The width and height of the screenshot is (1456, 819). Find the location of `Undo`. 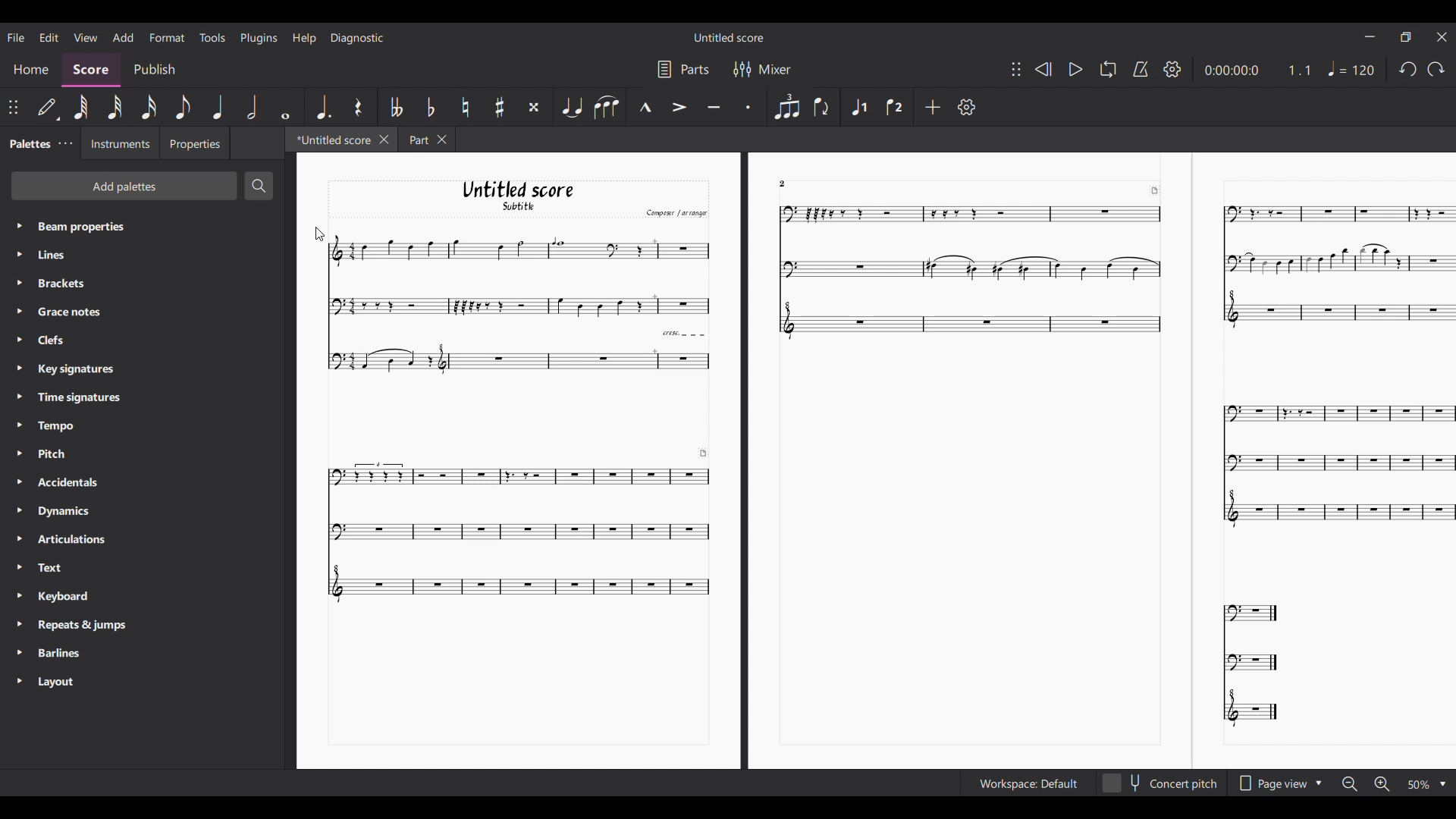

Undo is located at coordinates (1436, 72).